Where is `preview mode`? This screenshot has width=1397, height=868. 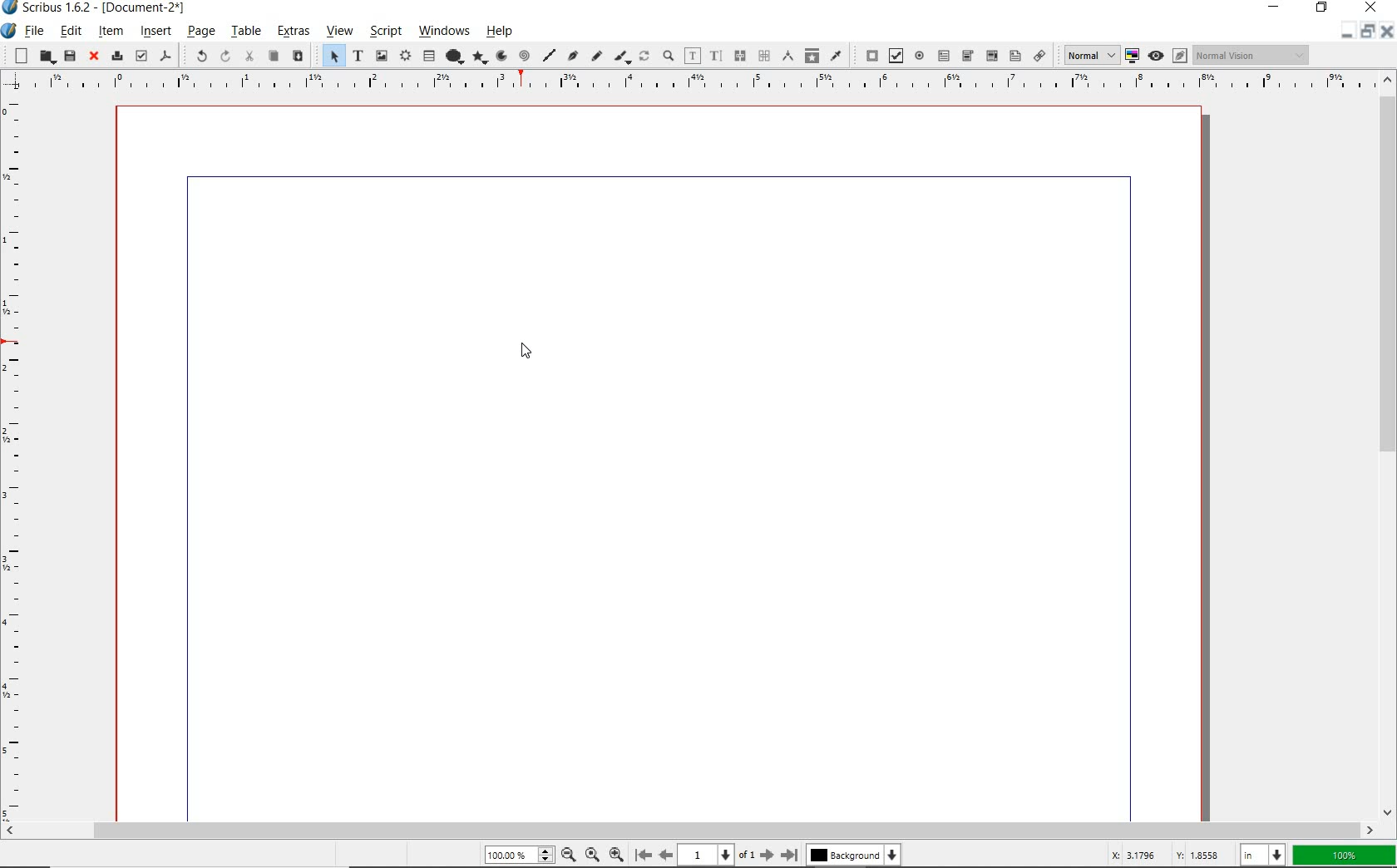 preview mode is located at coordinates (1167, 56).